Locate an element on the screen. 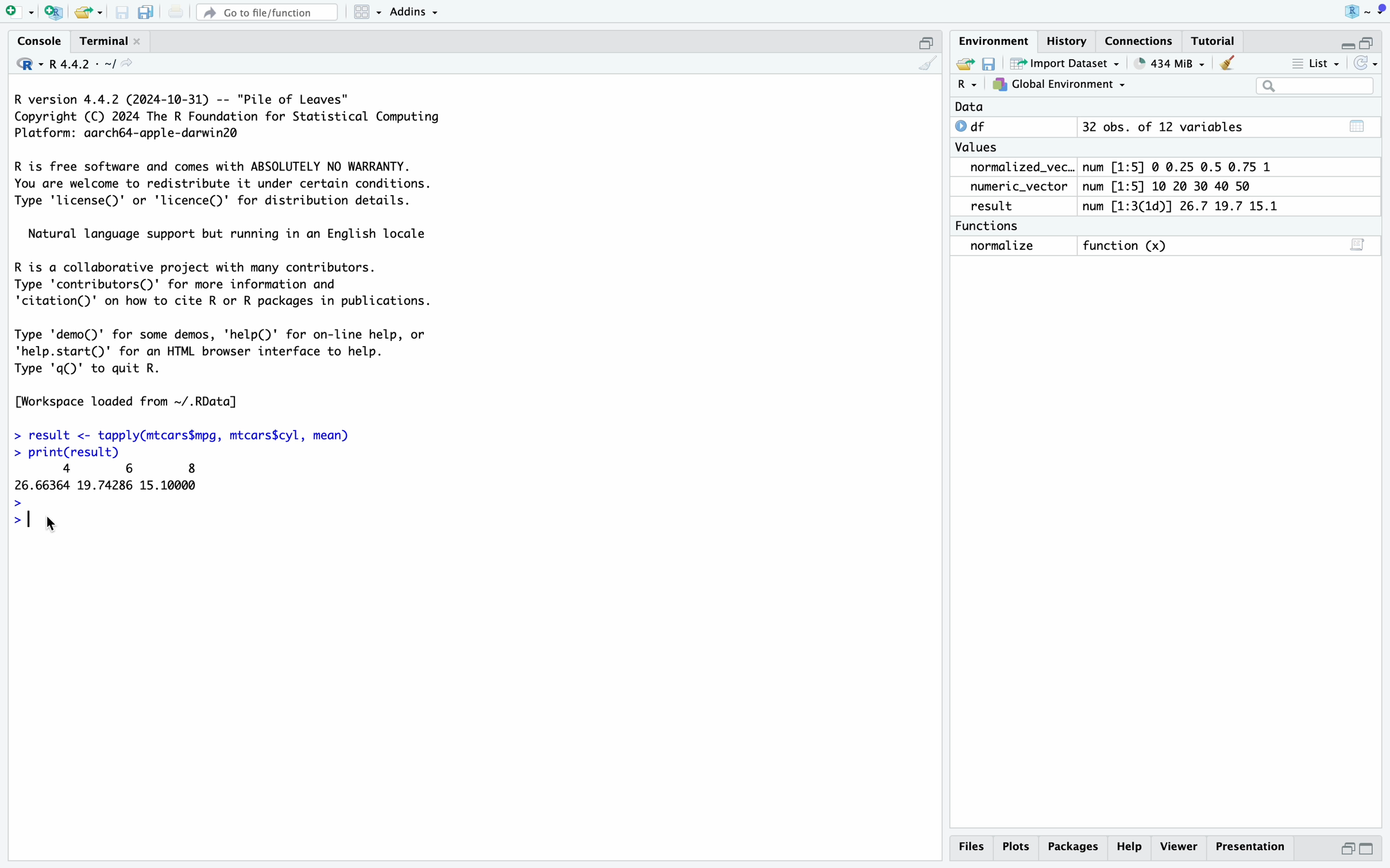  Open new file is located at coordinates (19, 12).